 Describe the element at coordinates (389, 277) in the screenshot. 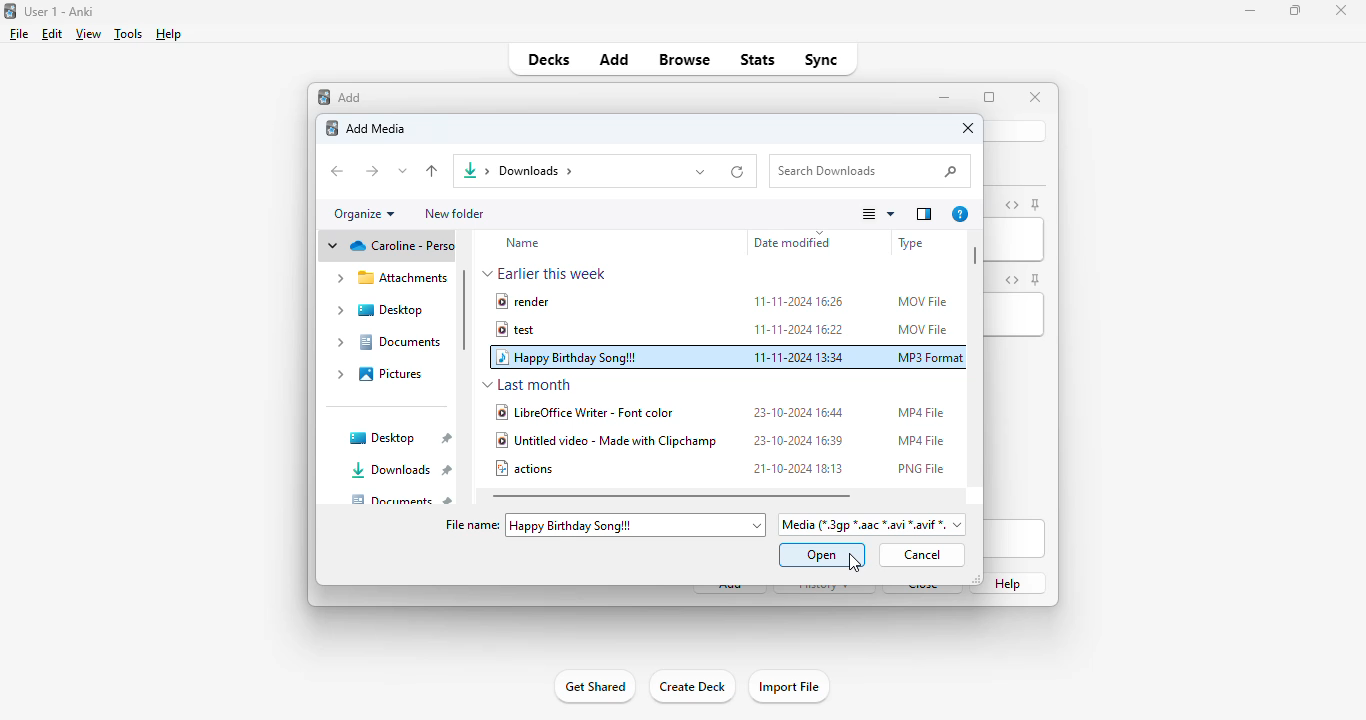

I see `attachments` at that location.